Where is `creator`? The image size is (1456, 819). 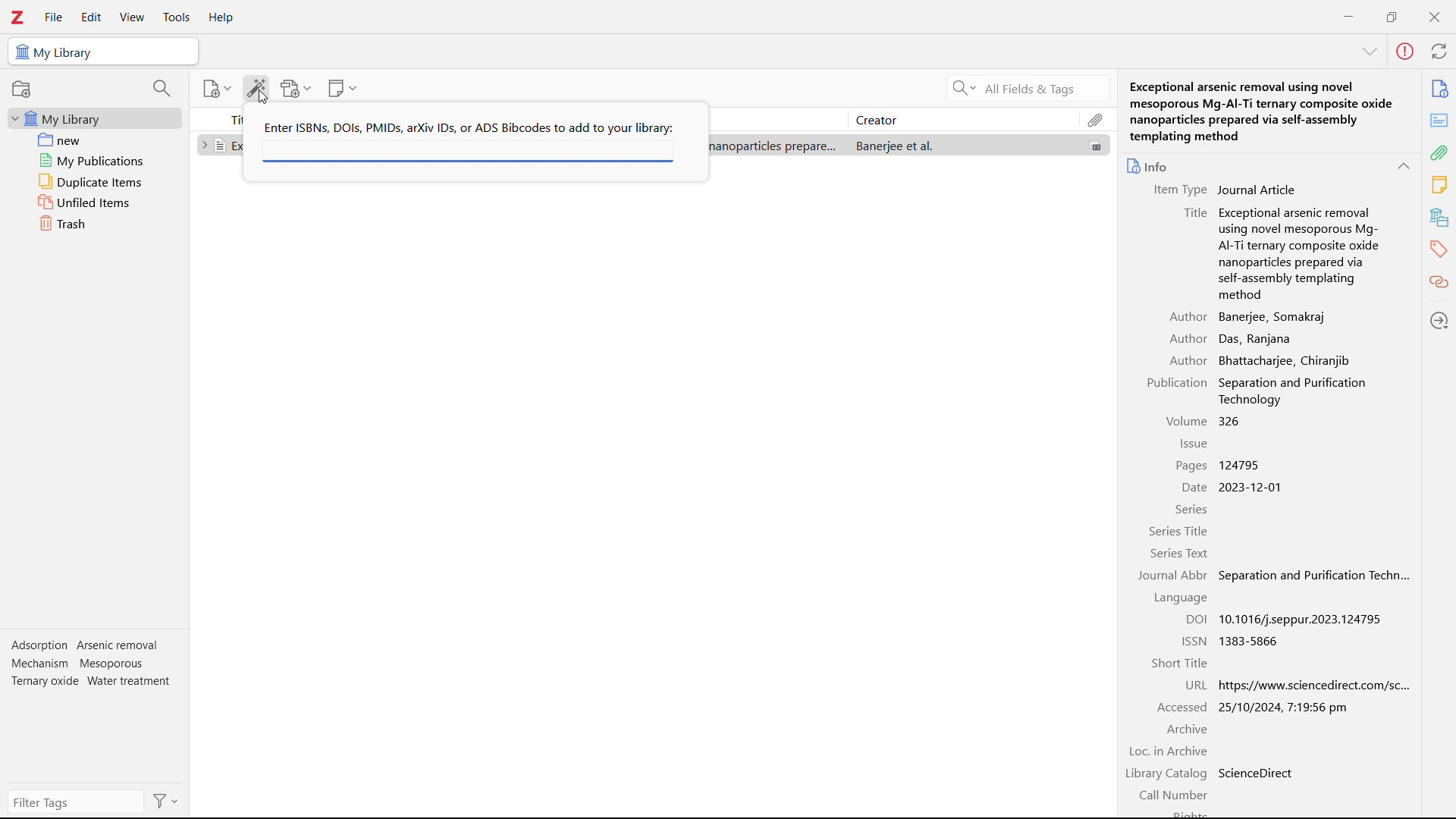 creator is located at coordinates (962, 119).